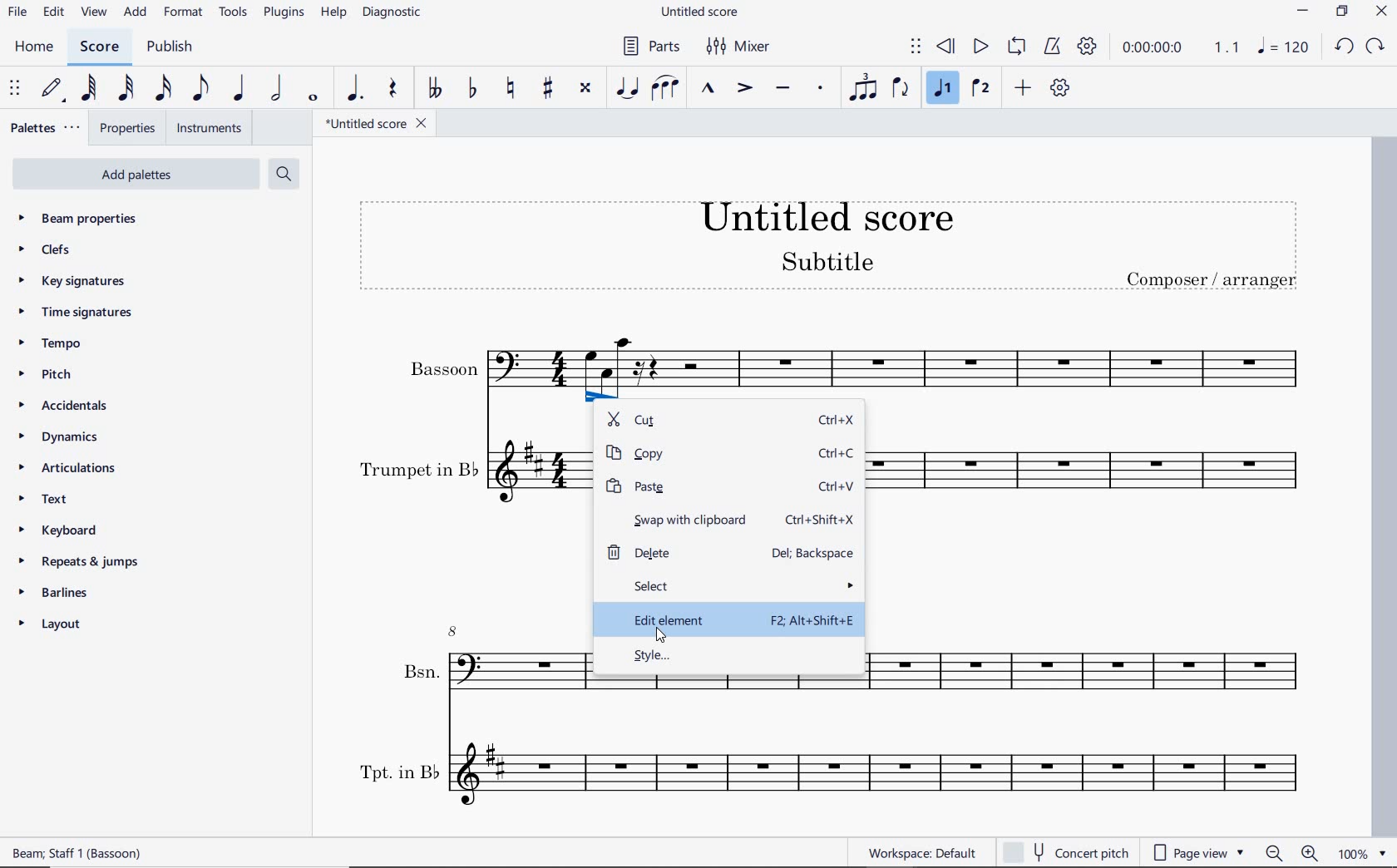 The width and height of the screenshot is (1397, 868). What do you see at coordinates (392, 13) in the screenshot?
I see `diagnostic` at bounding box center [392, 13].